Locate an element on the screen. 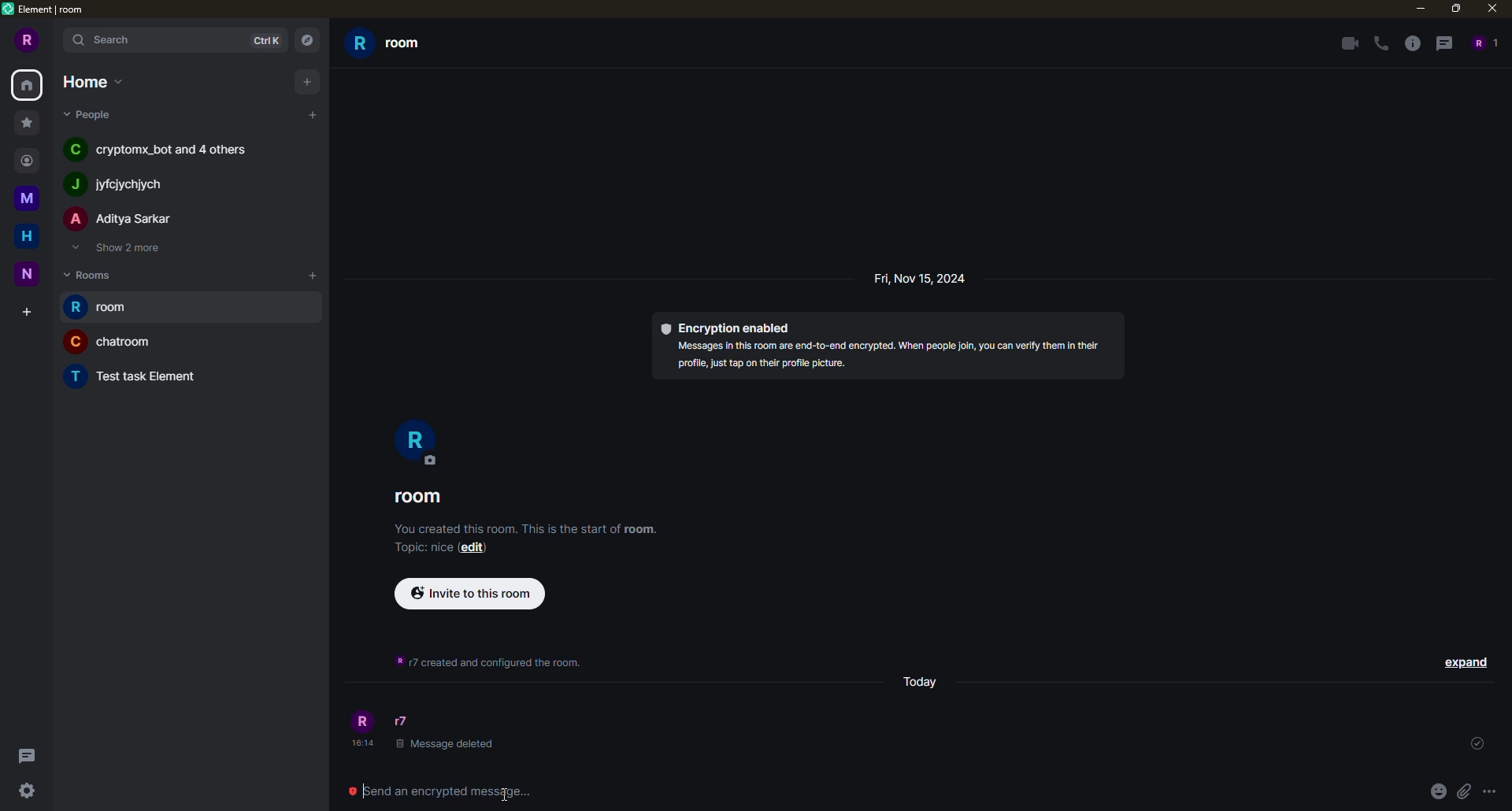  people is located at coordinates (406, 720).